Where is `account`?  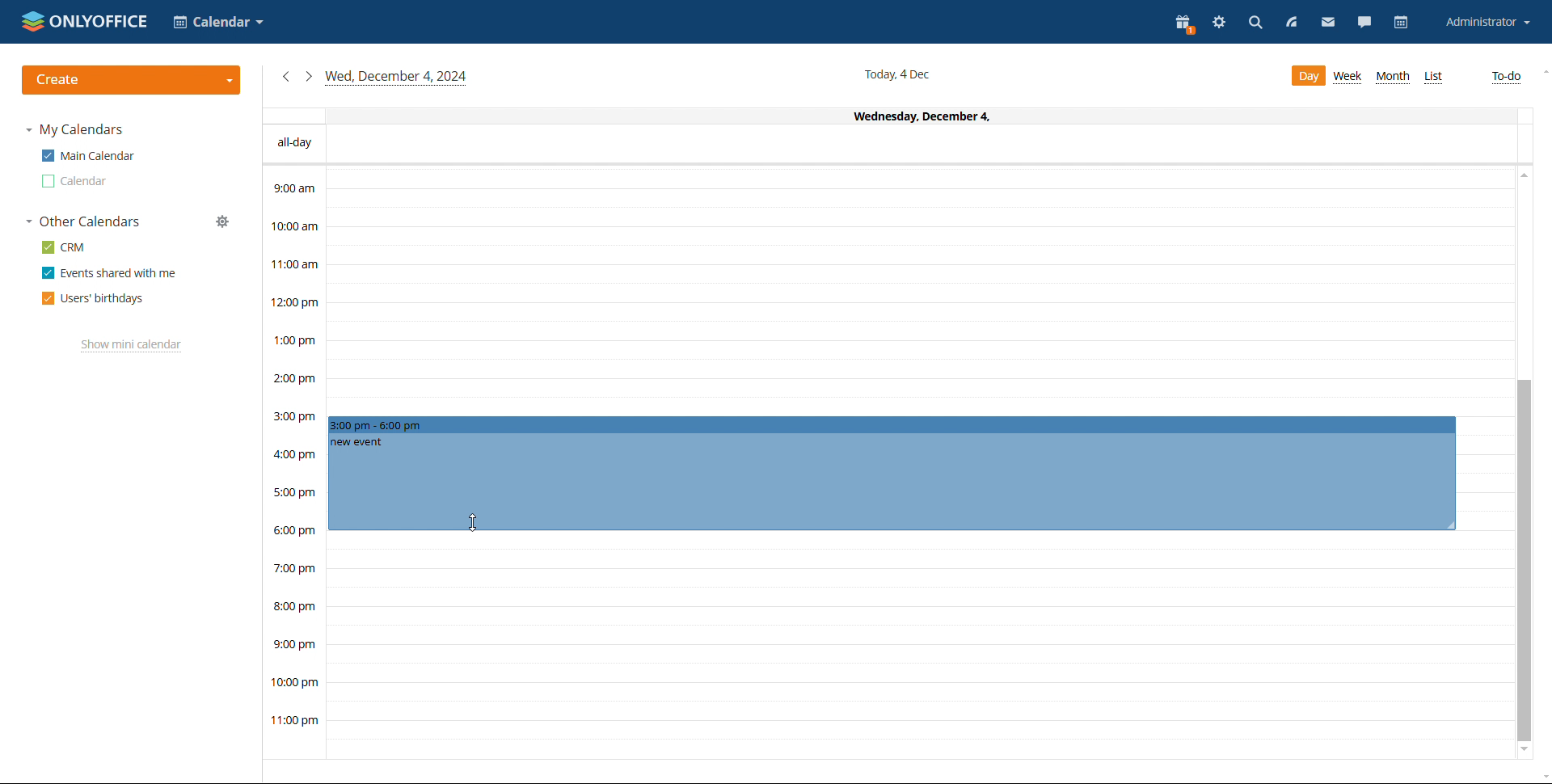 account is located at coordinates (1487, 22).